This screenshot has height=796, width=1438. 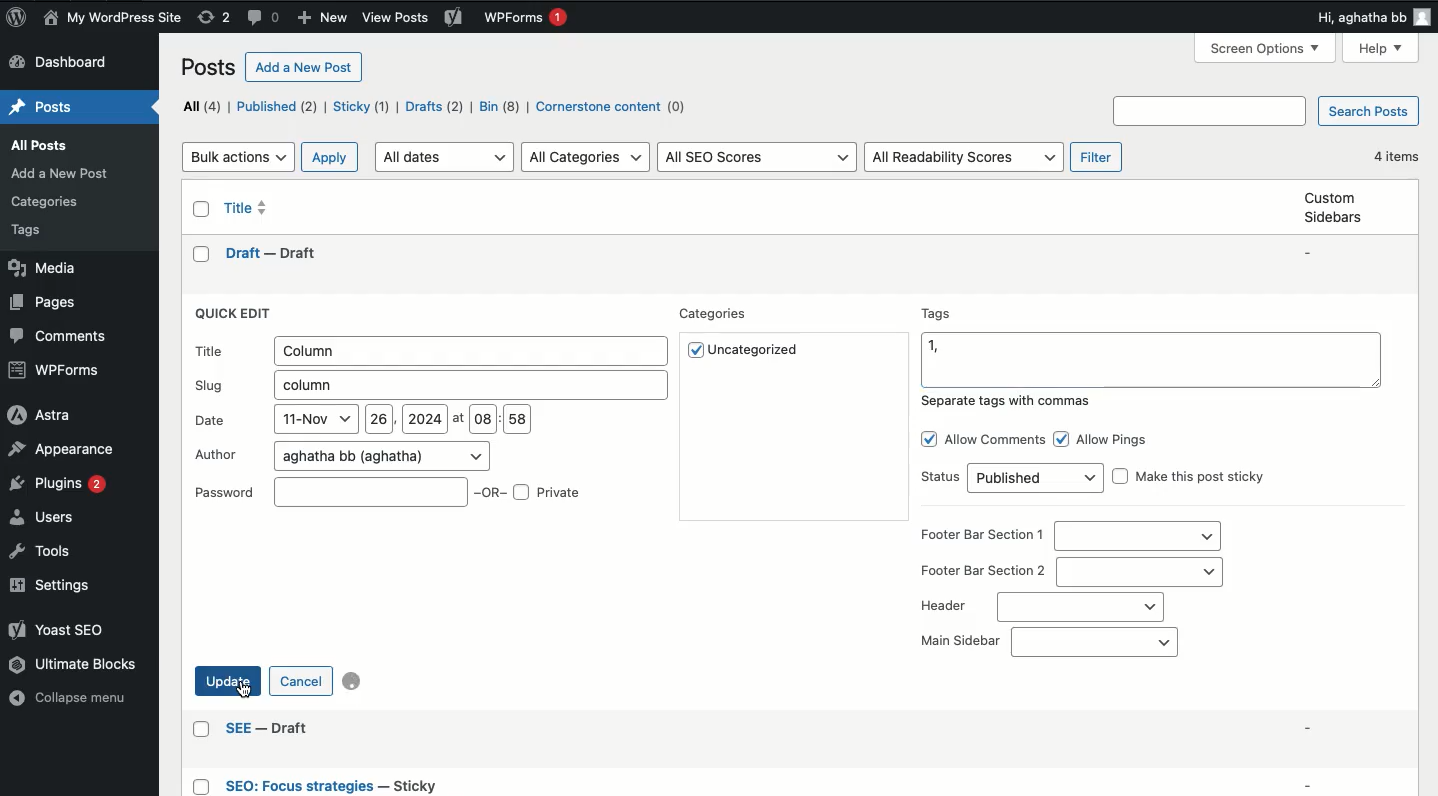 What do you see at coordinates (963, 156) in the screenshot?
I see `All readability scores` at bounding box center [963, 156].